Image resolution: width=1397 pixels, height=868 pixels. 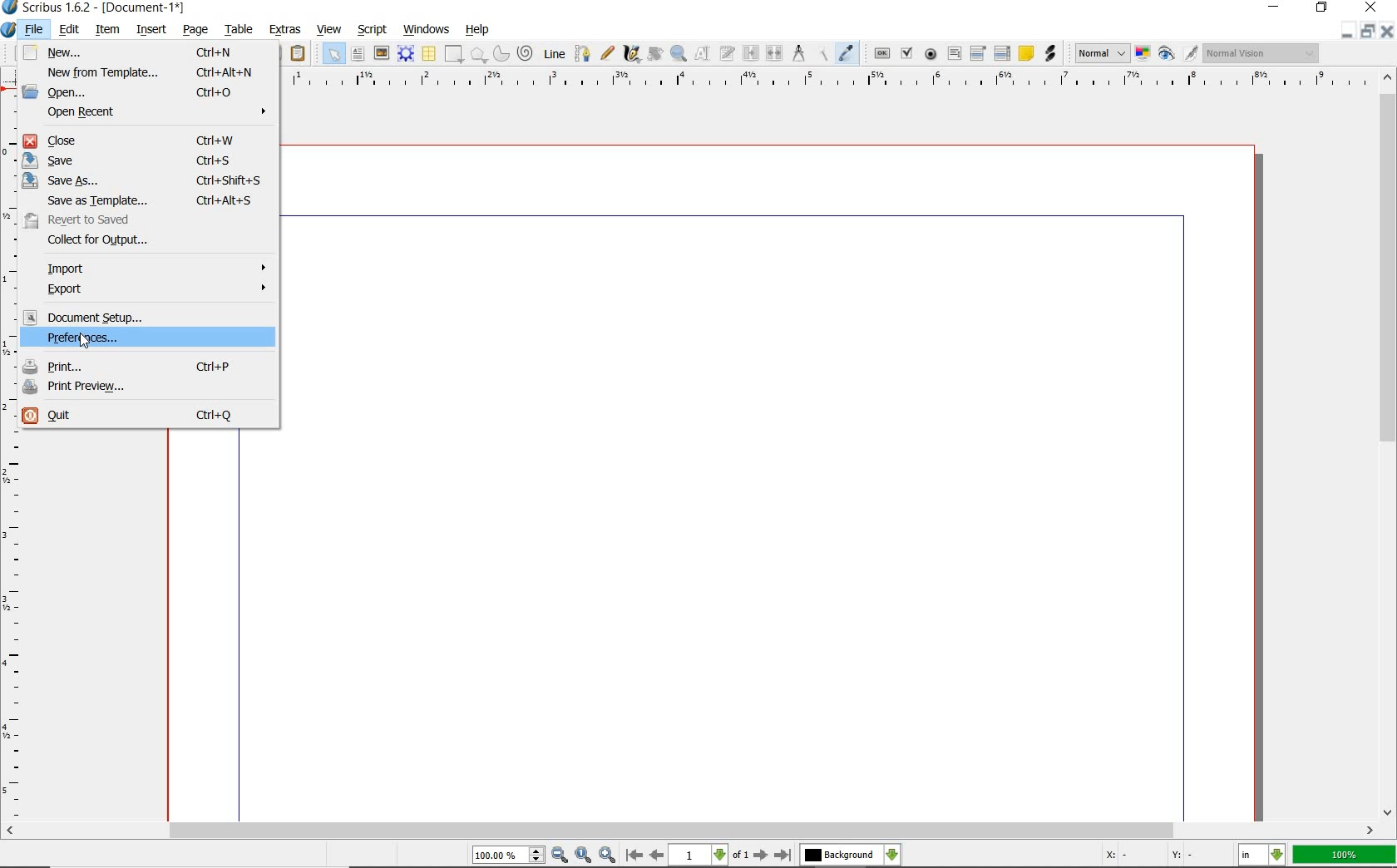 I want to click on select image preview mode, so click(x=1100, y=53).